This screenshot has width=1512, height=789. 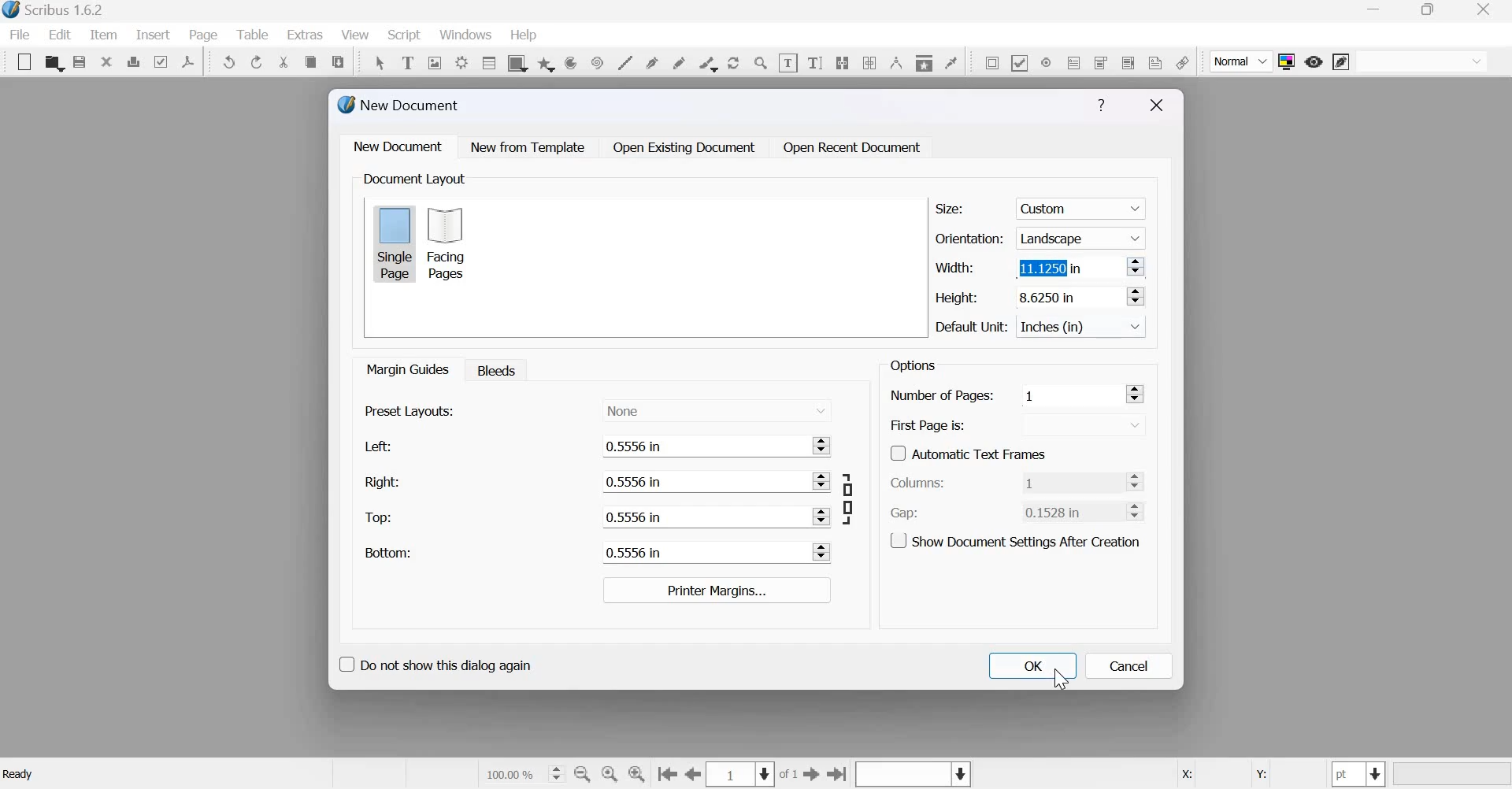 I want to click on windows, so click(x=465, y=36).